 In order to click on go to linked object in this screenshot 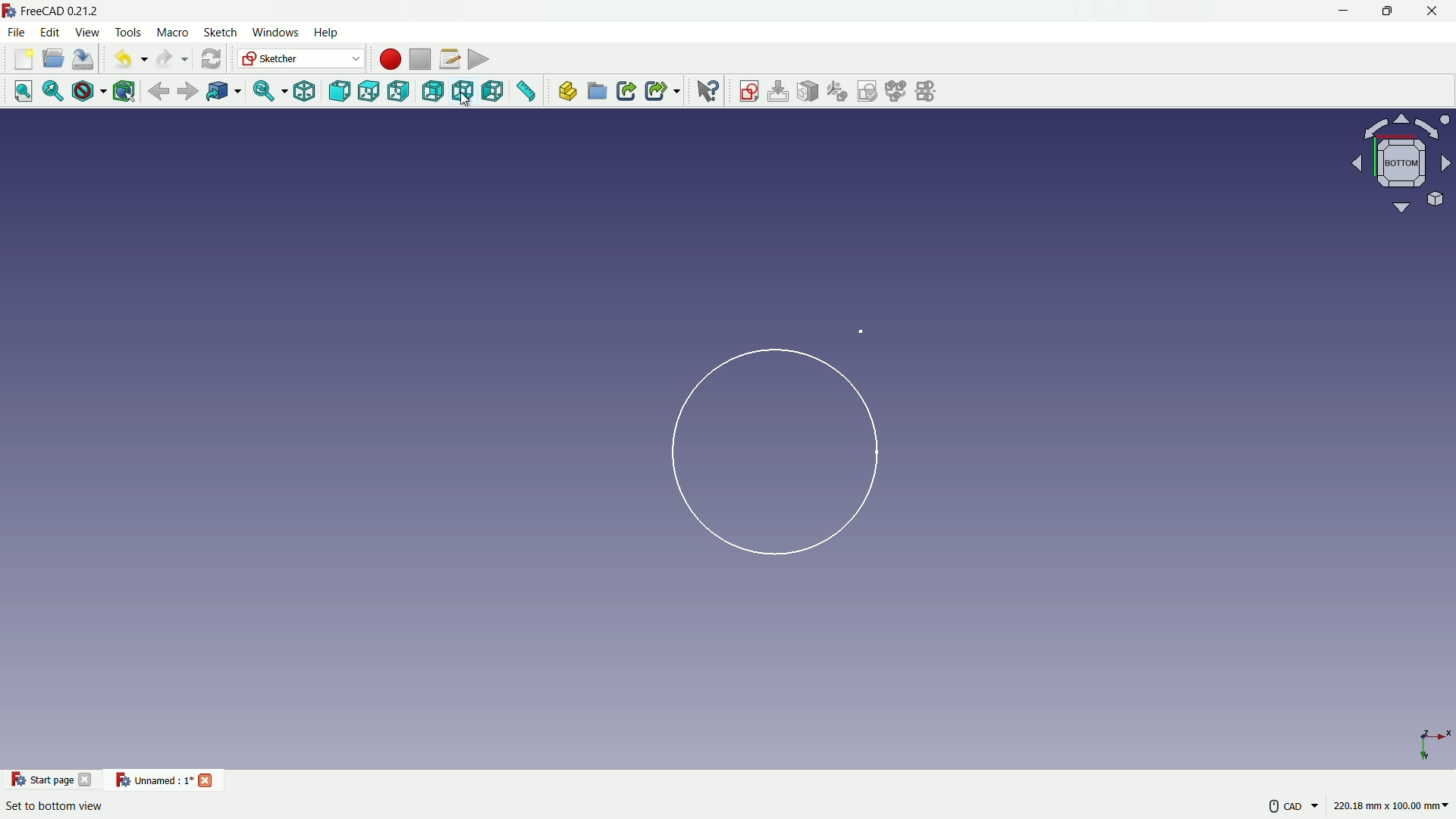, I will do `click(223, 91)`.